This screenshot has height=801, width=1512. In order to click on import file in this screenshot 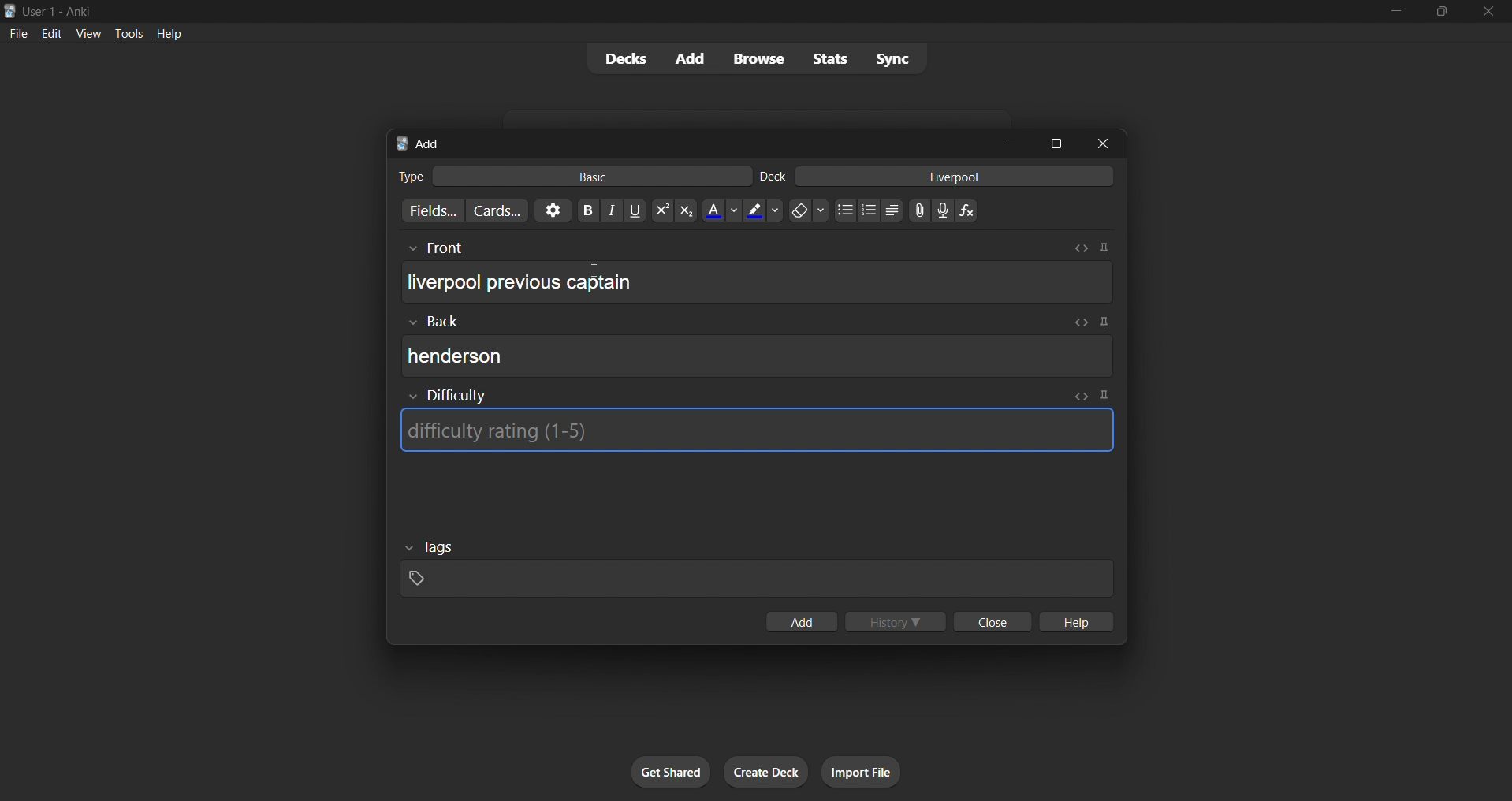, I will do `click(867, 770)`.